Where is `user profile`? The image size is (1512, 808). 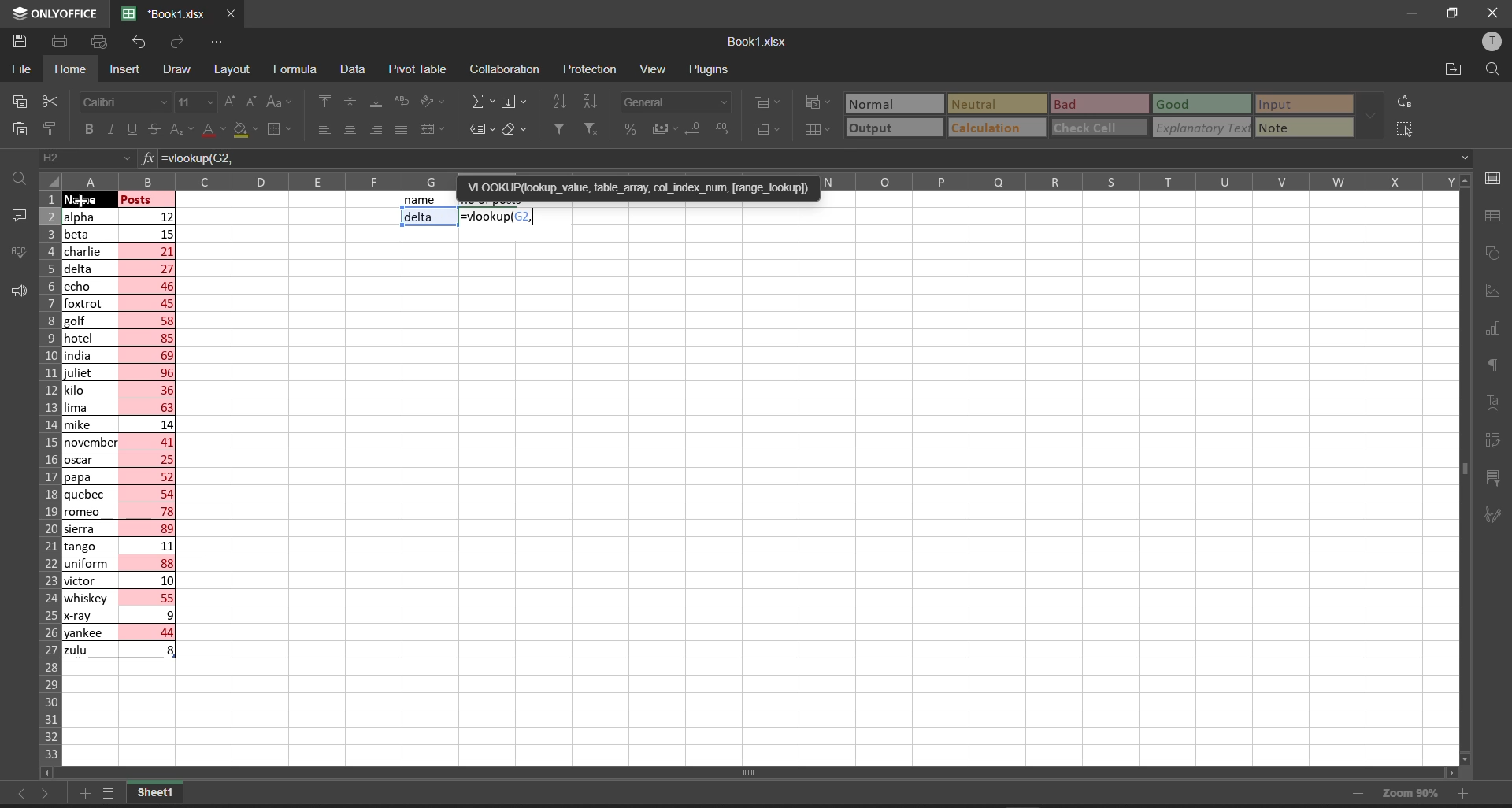
user profile is located at coordinates (1494, 41).